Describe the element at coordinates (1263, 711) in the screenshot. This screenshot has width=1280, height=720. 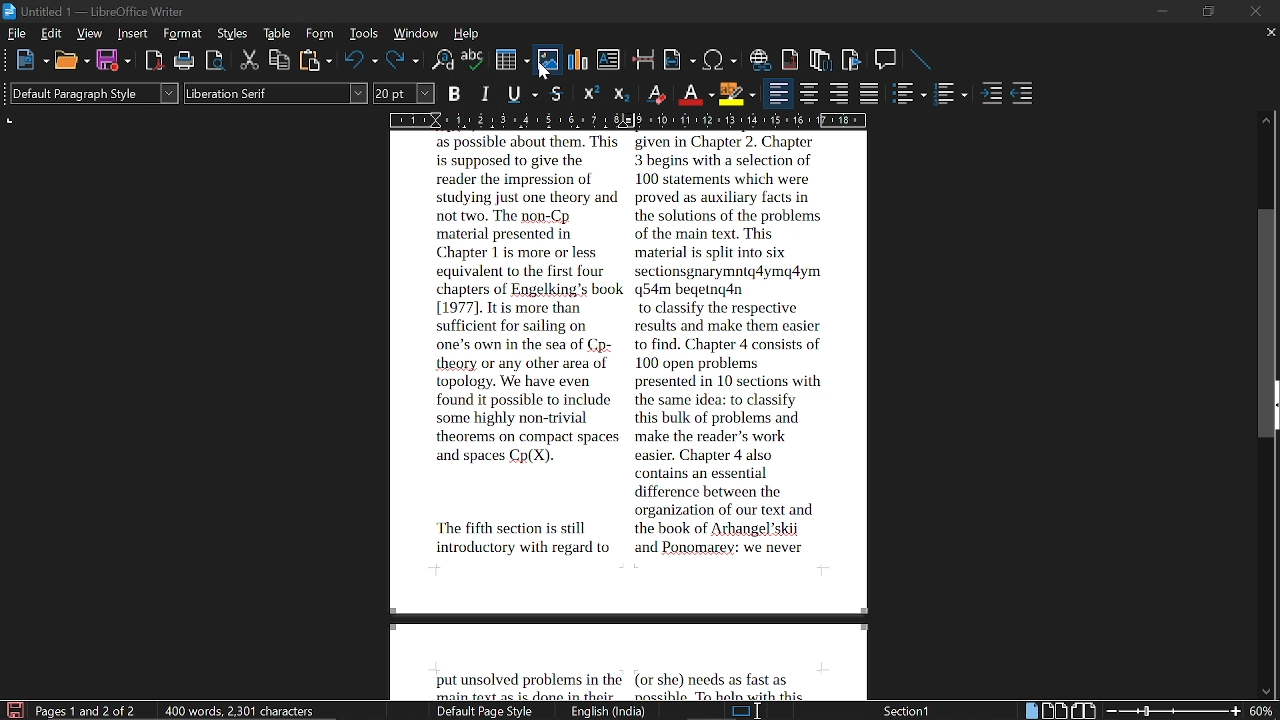
I see `60%` at that location.